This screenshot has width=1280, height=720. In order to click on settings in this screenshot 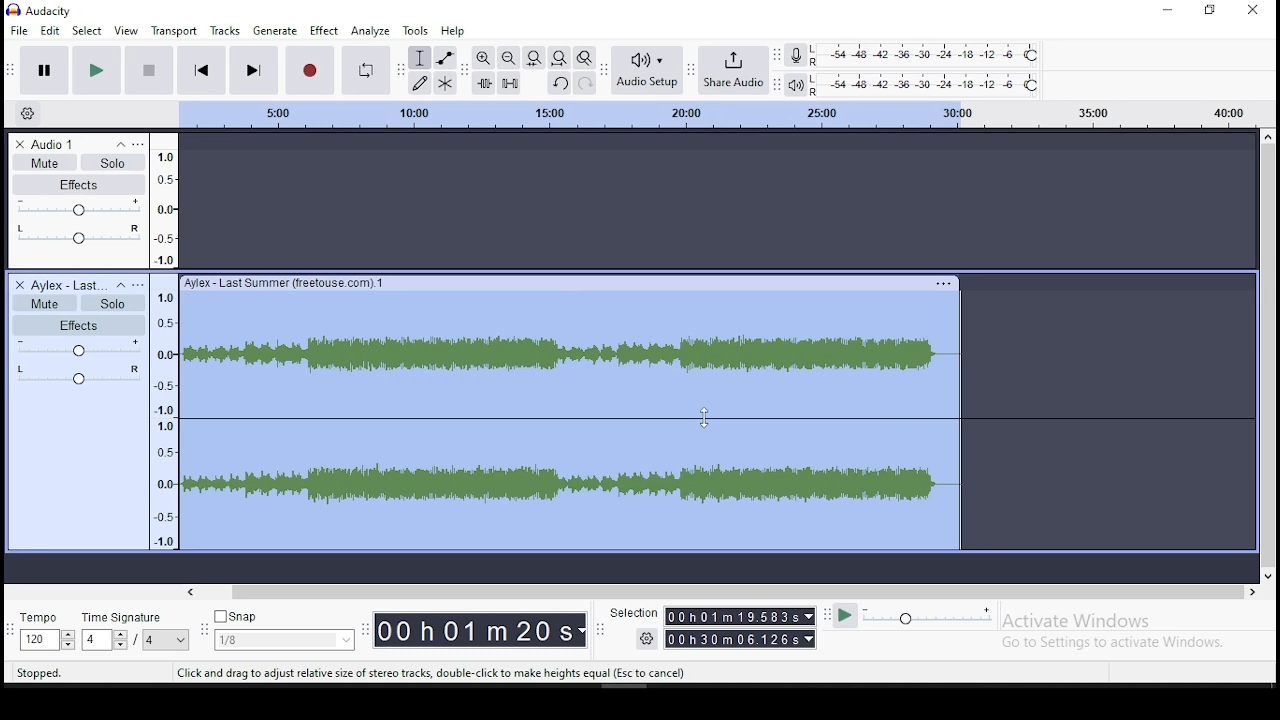, I will do `click(650, 641)`.